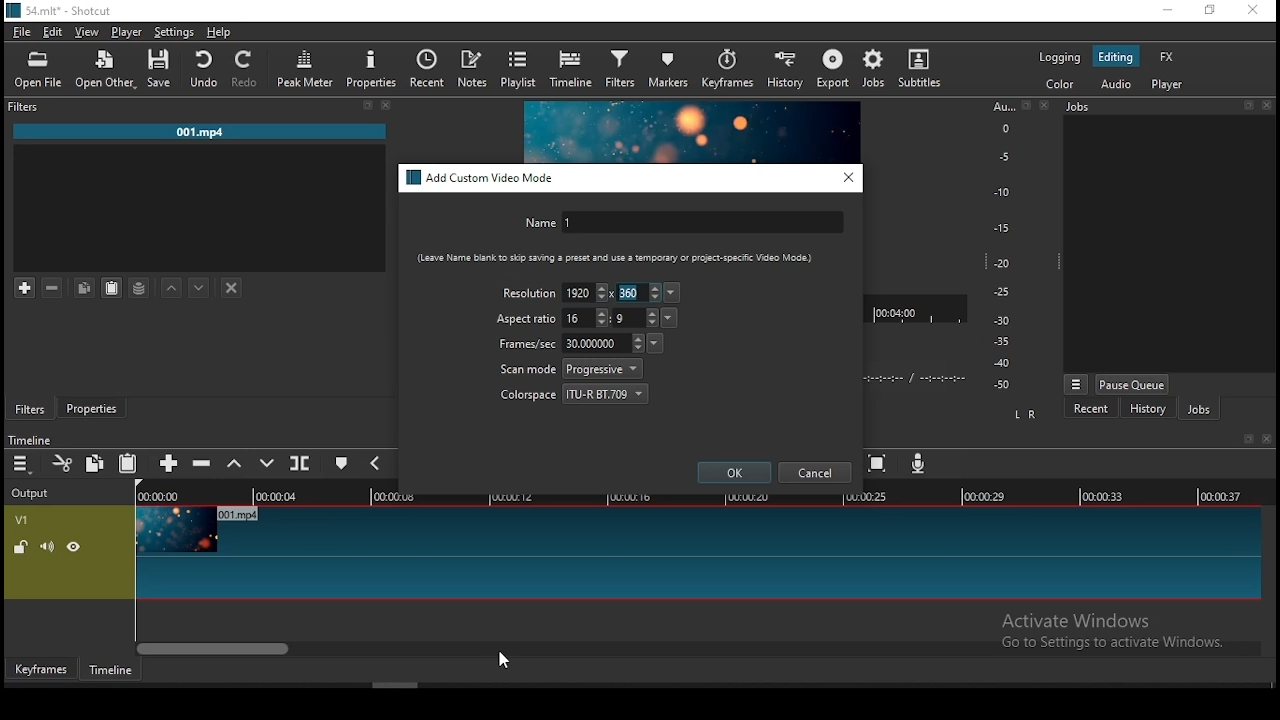 The height and width of the screenshot is (720, 1280). I want to click on history, so click(1147, 411).